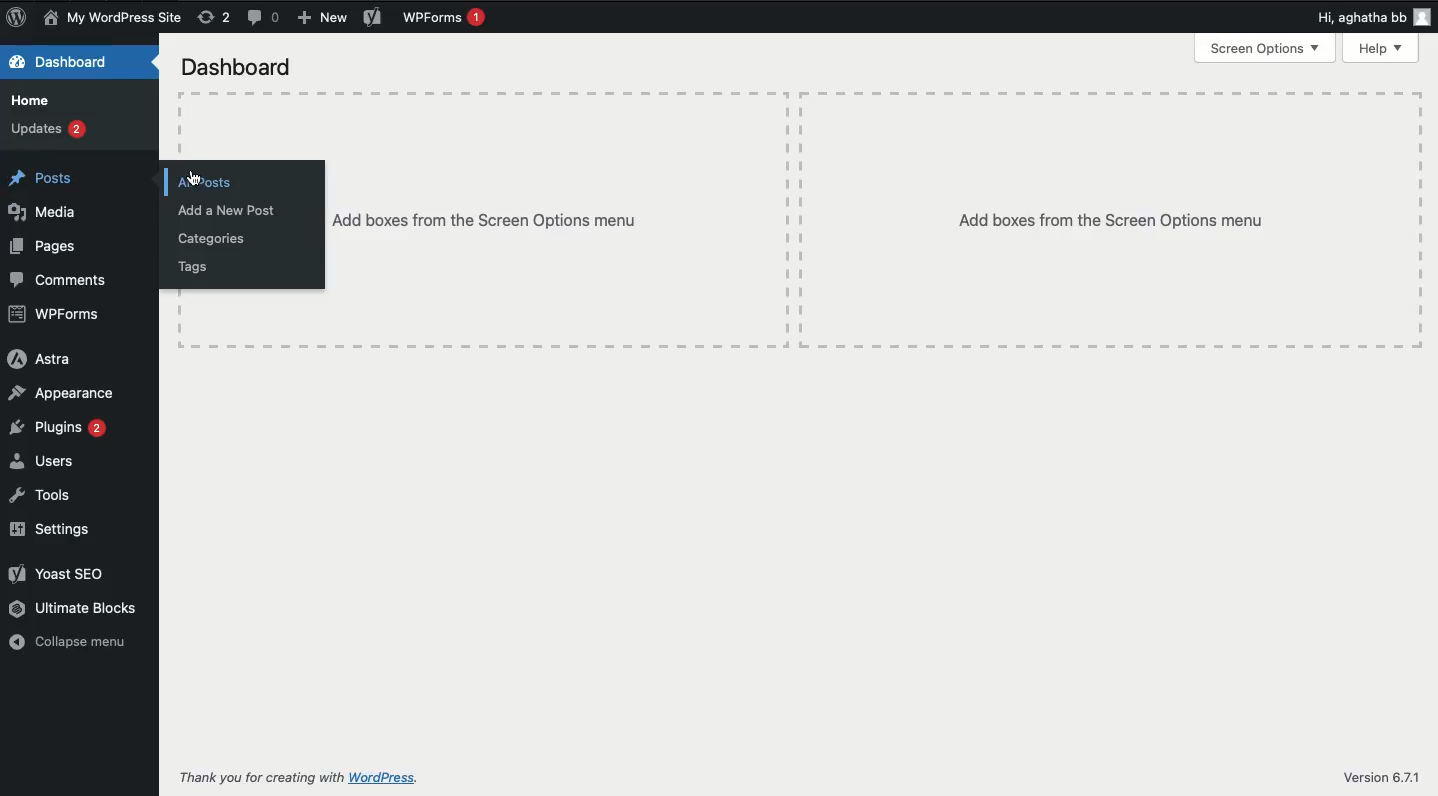 Image resolution: width=1438 pixels, height=796 pixels. What do you see at coordinates (387, 777) in the screenshot?
I see `wordpress` at bounding box center [387, 777].